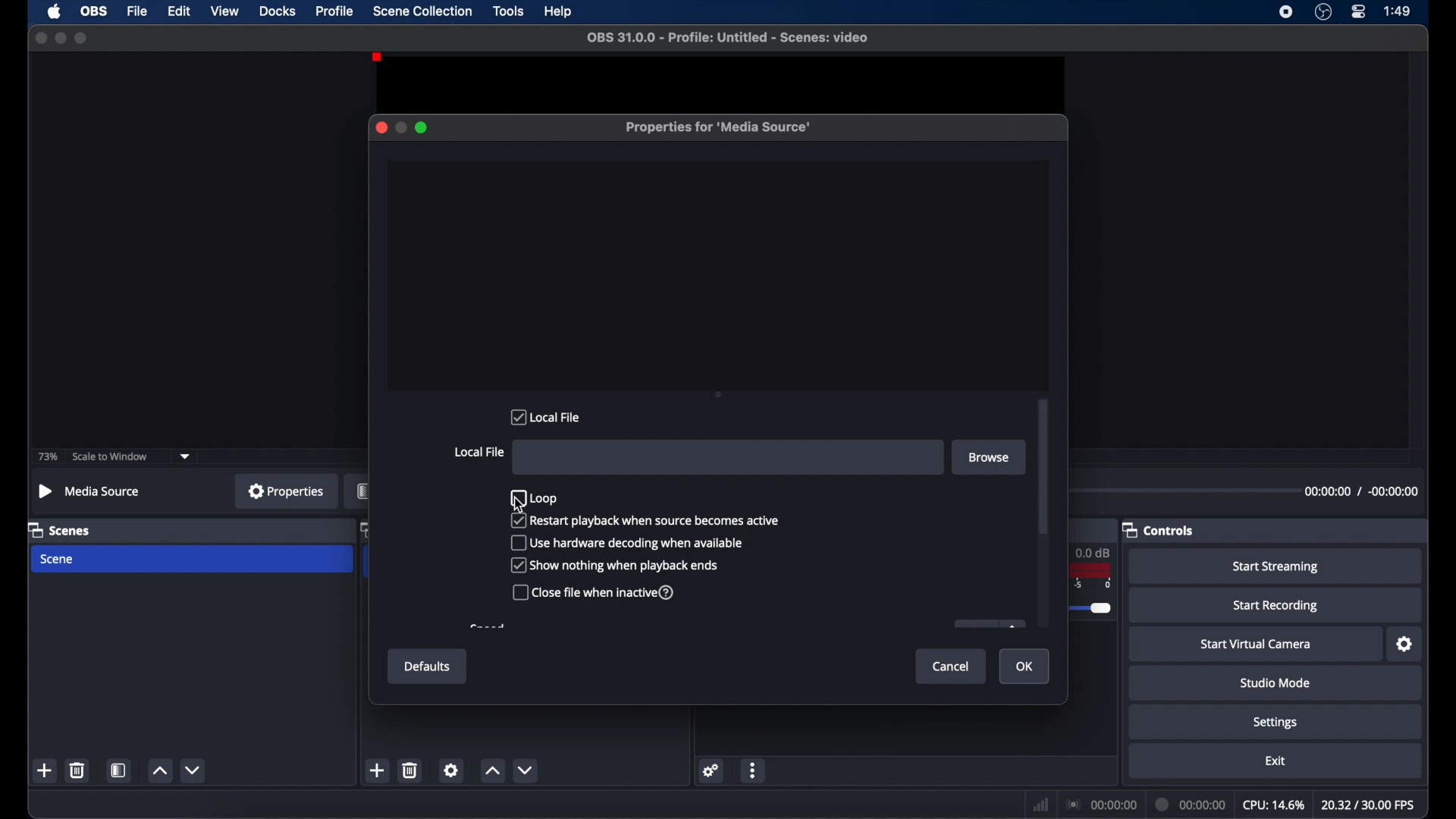 Image resolution: width=1456 pixels, height=819 pixels. I want to click on fps, so click(1368, 805).